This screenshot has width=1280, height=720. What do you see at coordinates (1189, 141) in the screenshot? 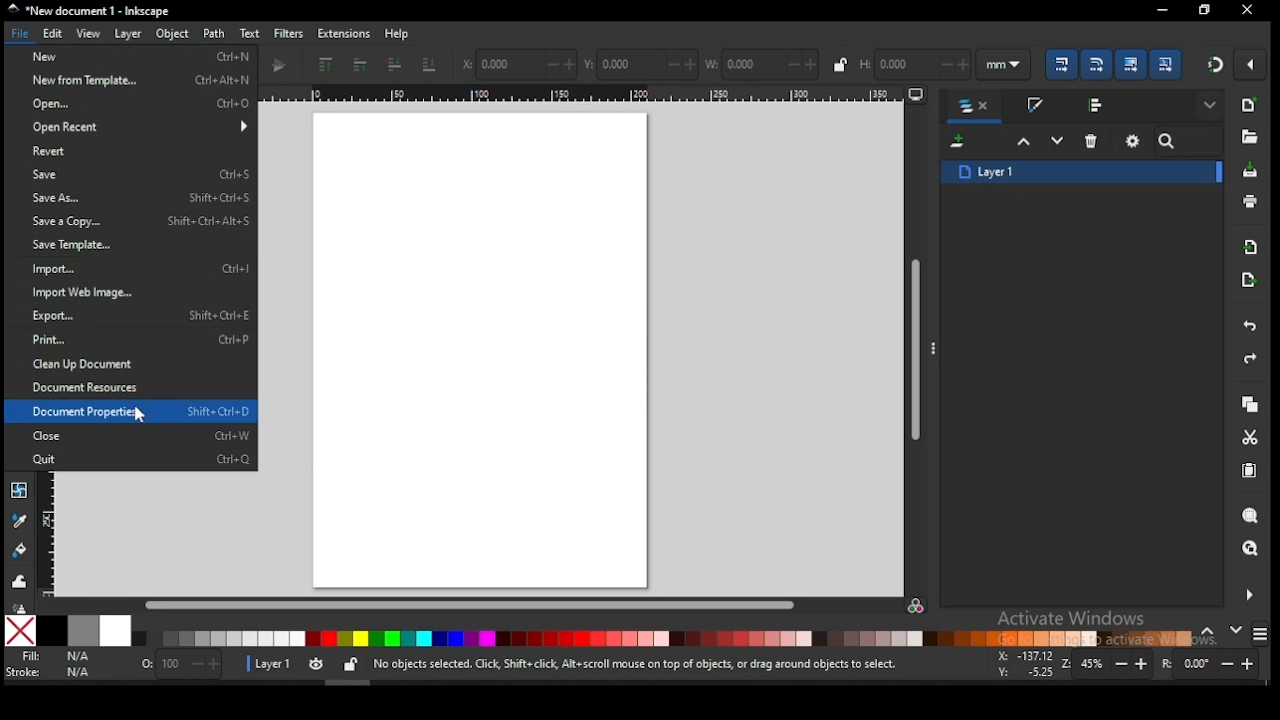
I see `search bar` at bounding box center [1189, 141].